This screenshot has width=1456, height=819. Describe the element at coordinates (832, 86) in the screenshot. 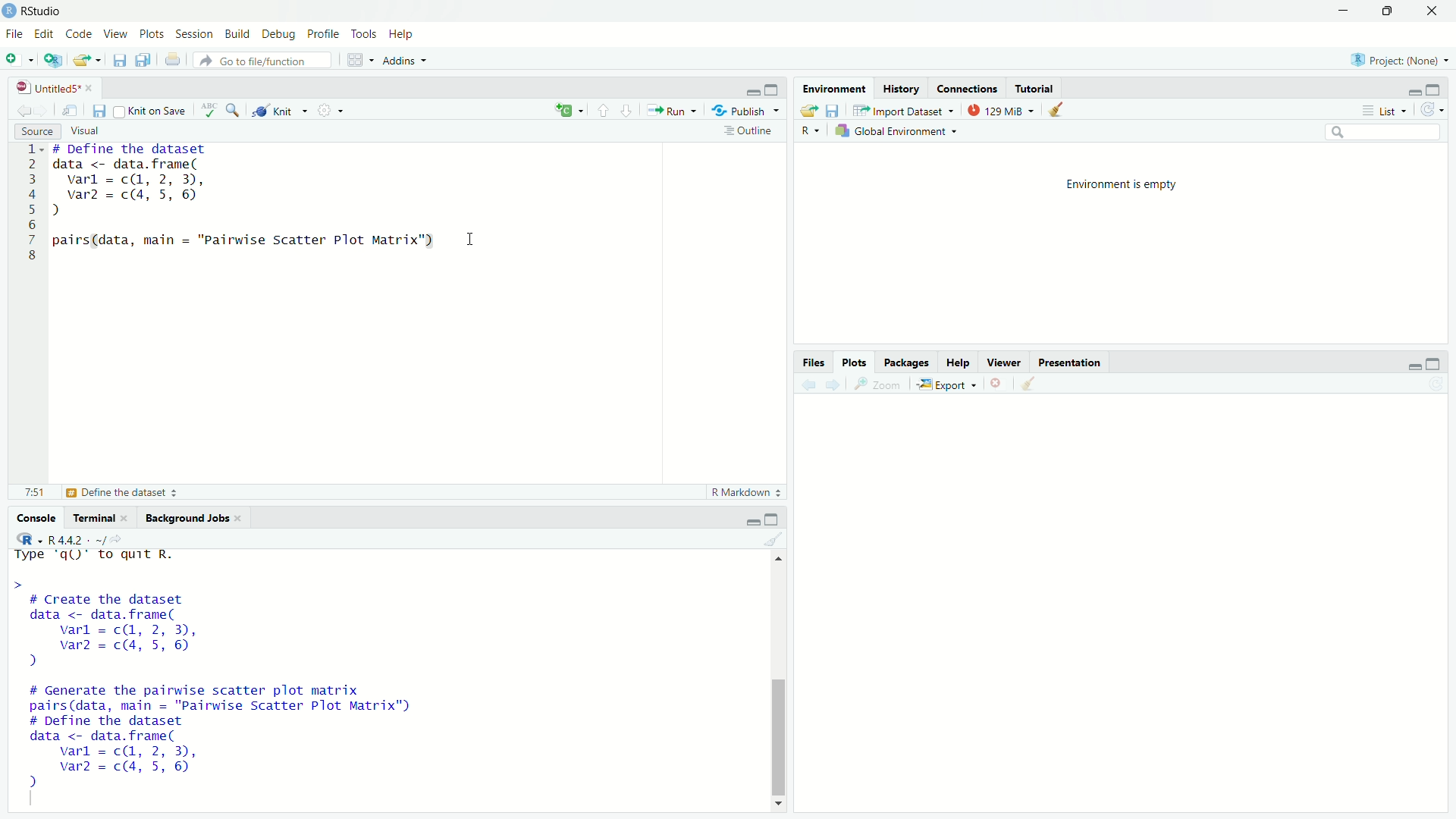

I see `Environment` at that location.